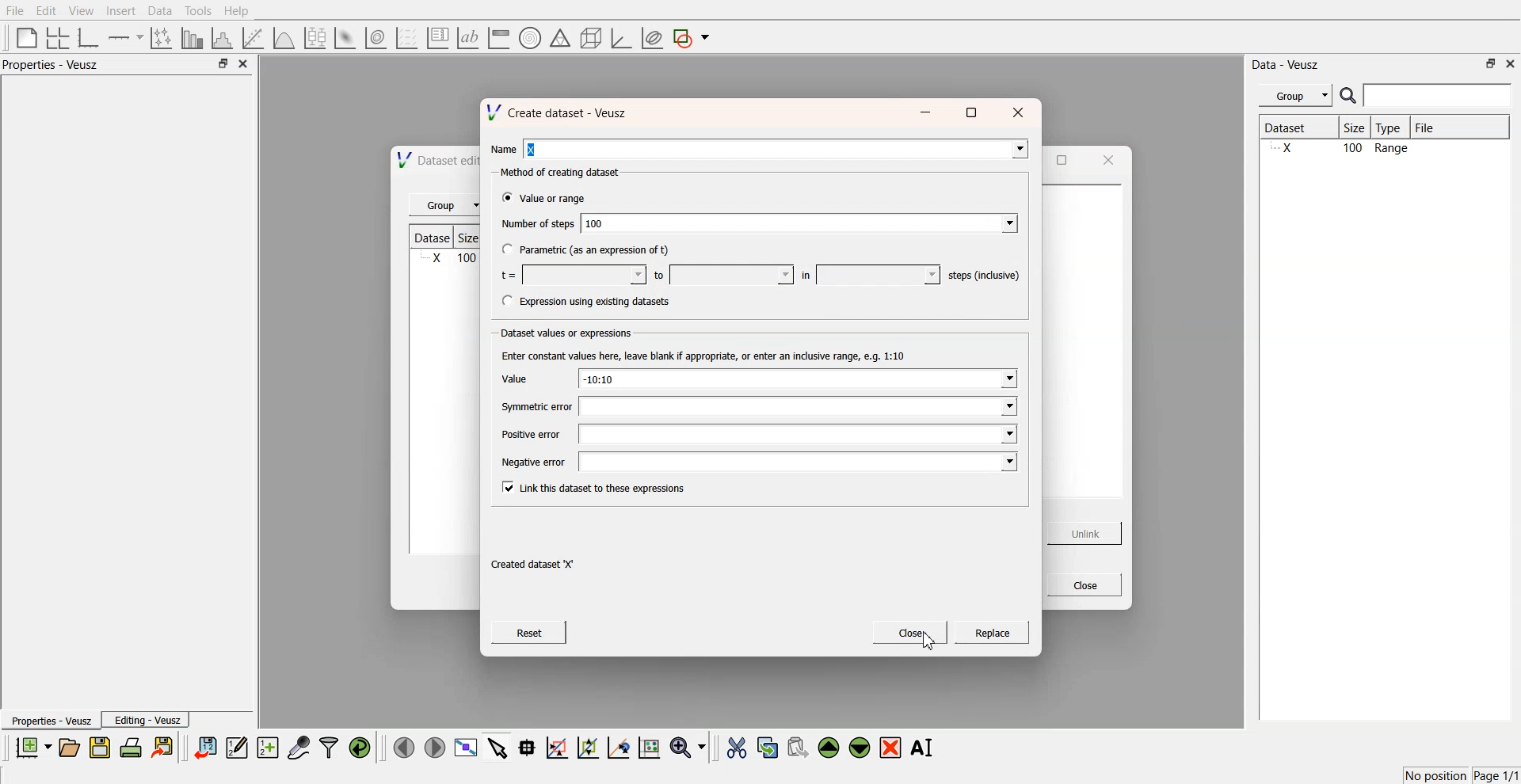 The image size is (1521, 784). What do you see at coordinates (692, 39) in the screenshot?
I see `add a shape` at bounding box center [692, 39].